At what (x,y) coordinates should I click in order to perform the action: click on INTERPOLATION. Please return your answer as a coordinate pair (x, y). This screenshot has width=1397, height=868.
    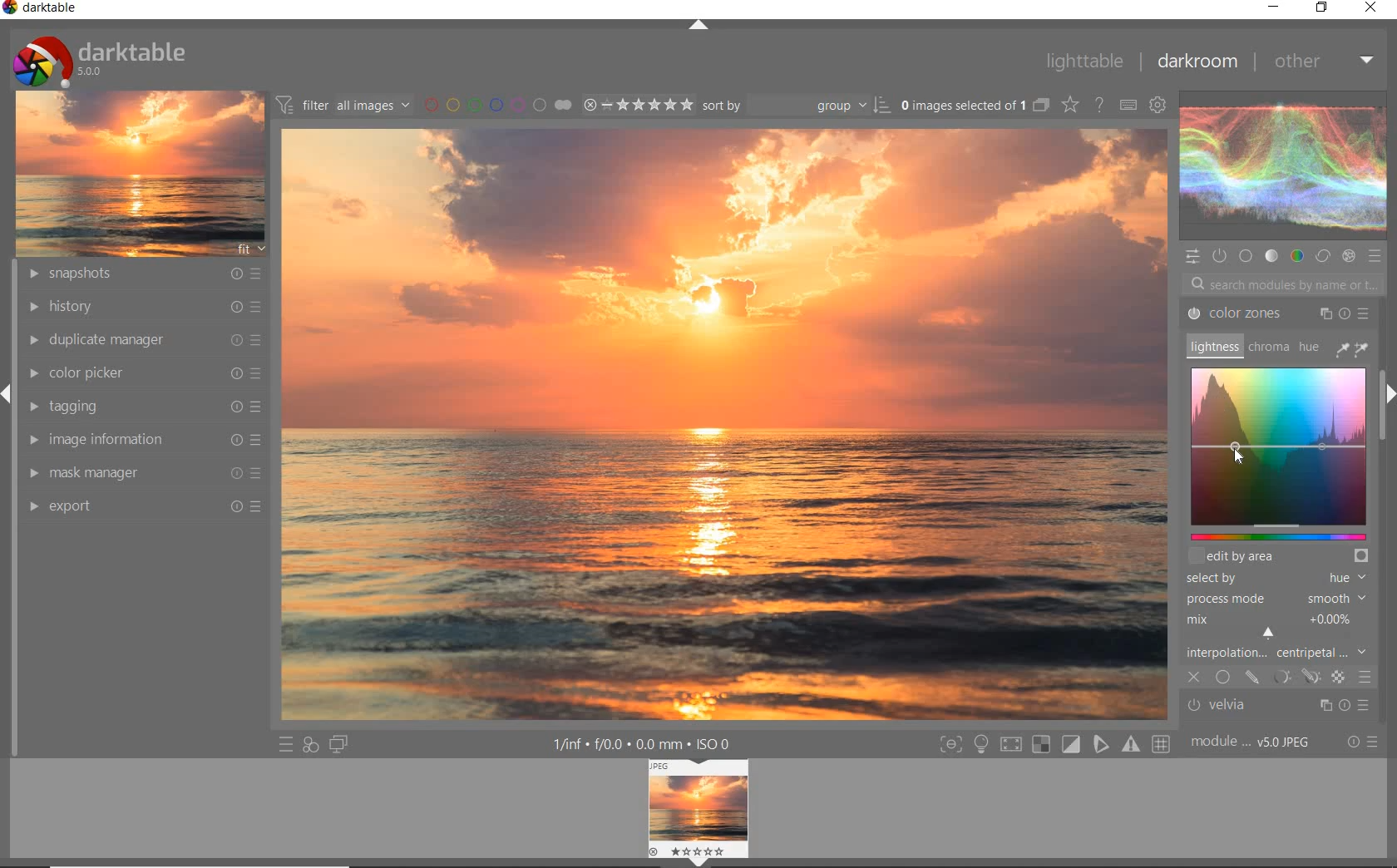
    Looking at the image, I should click on (1281, 635).